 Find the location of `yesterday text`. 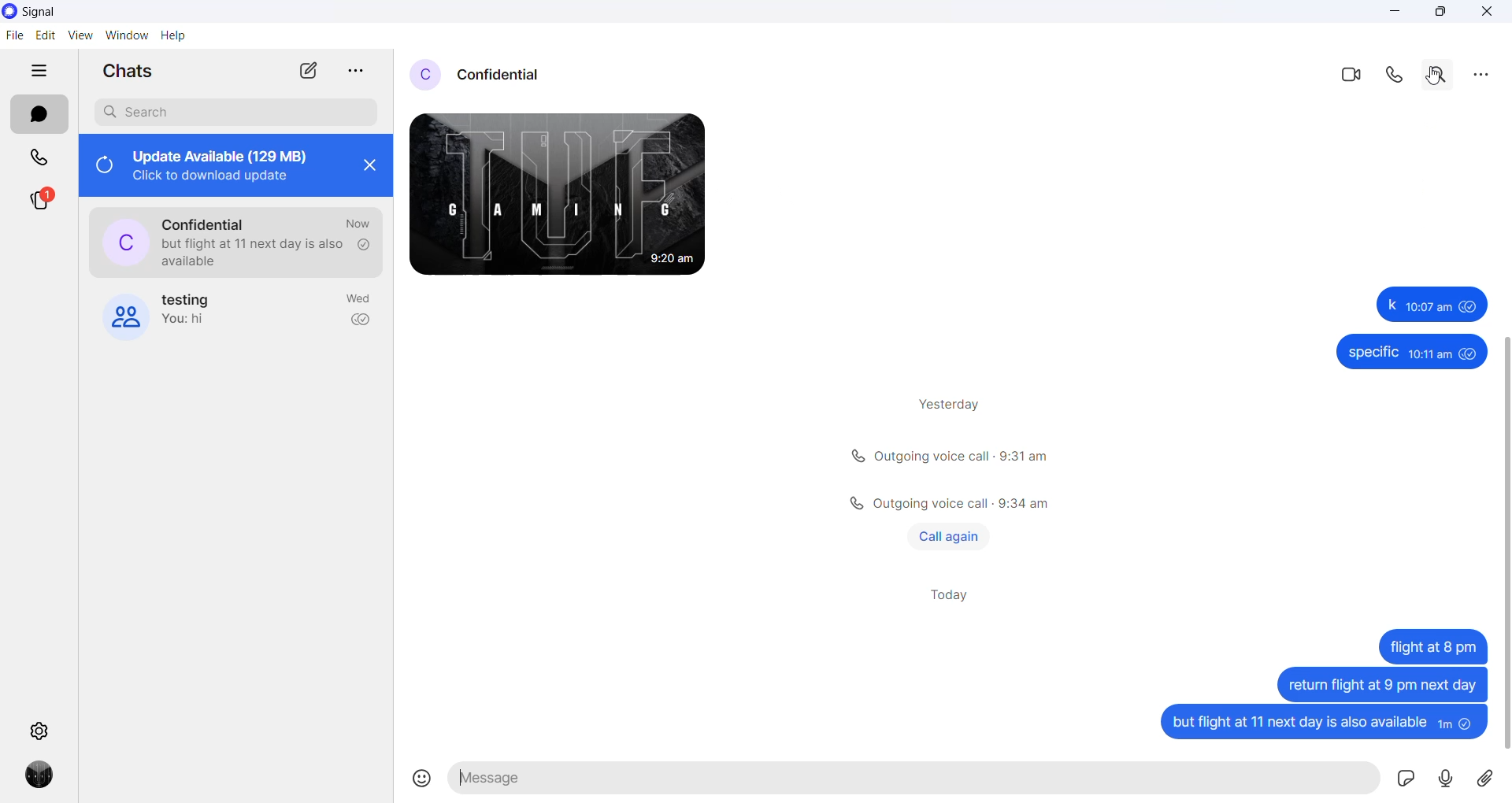

yesterday text is located at coordinates (943, 401).